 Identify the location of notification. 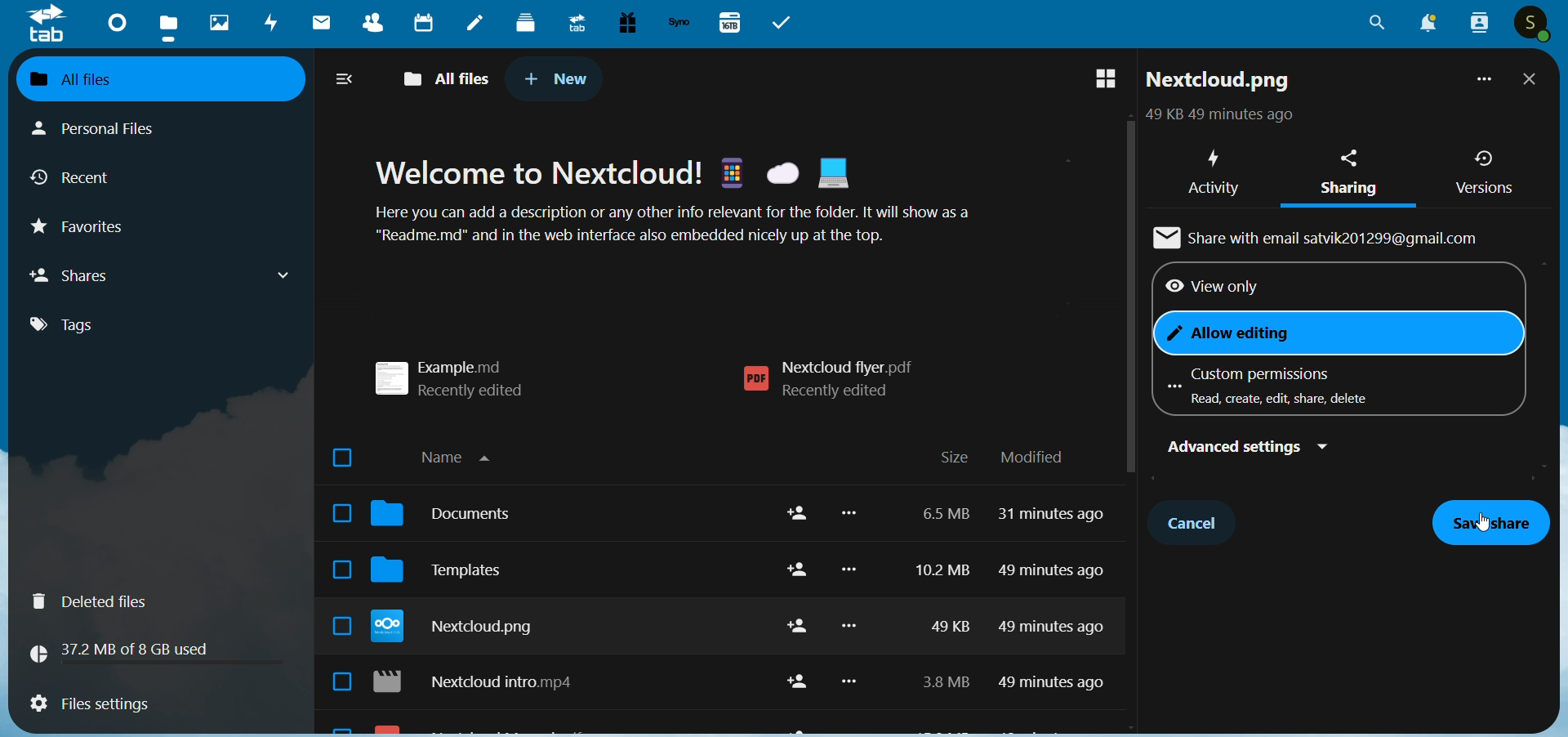
(1424, 25).